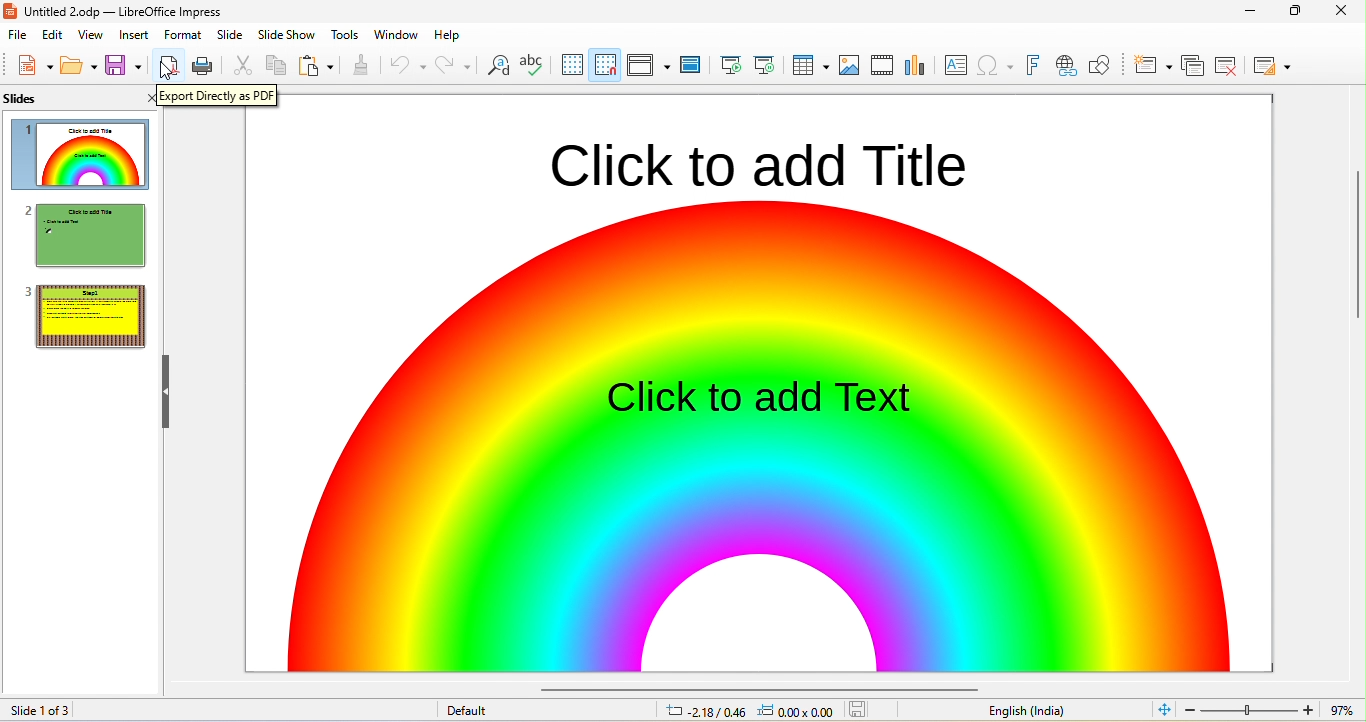 The height and width of the screenshot is (722, 1366). Describe the element at coordinates (168, 74) in the screenshot. I see `cursor` at that location.